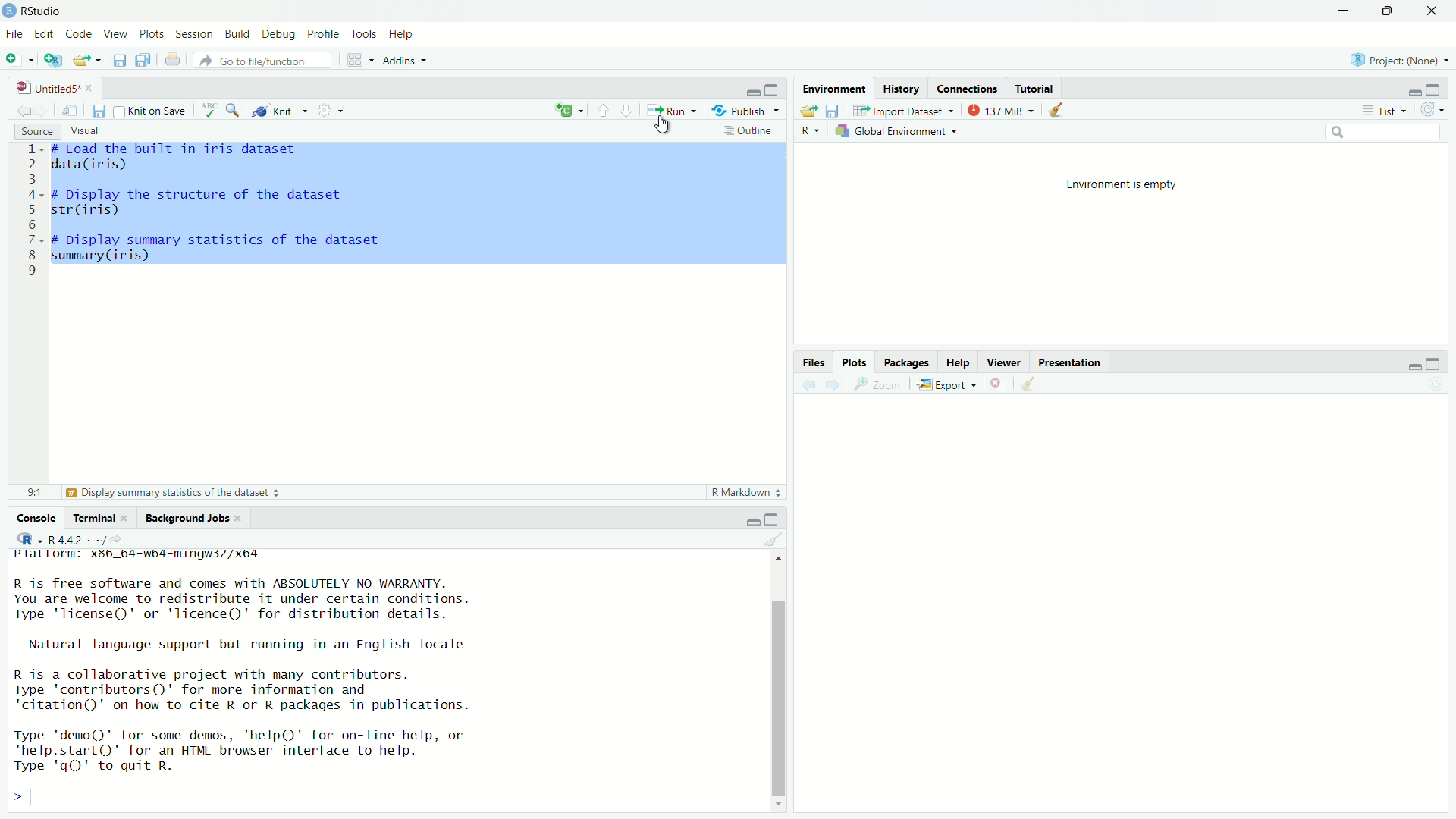  What do you see at coordinates (628, 111) in the screenshot?
I see `Go to next section` at bounding box center [628, 111].